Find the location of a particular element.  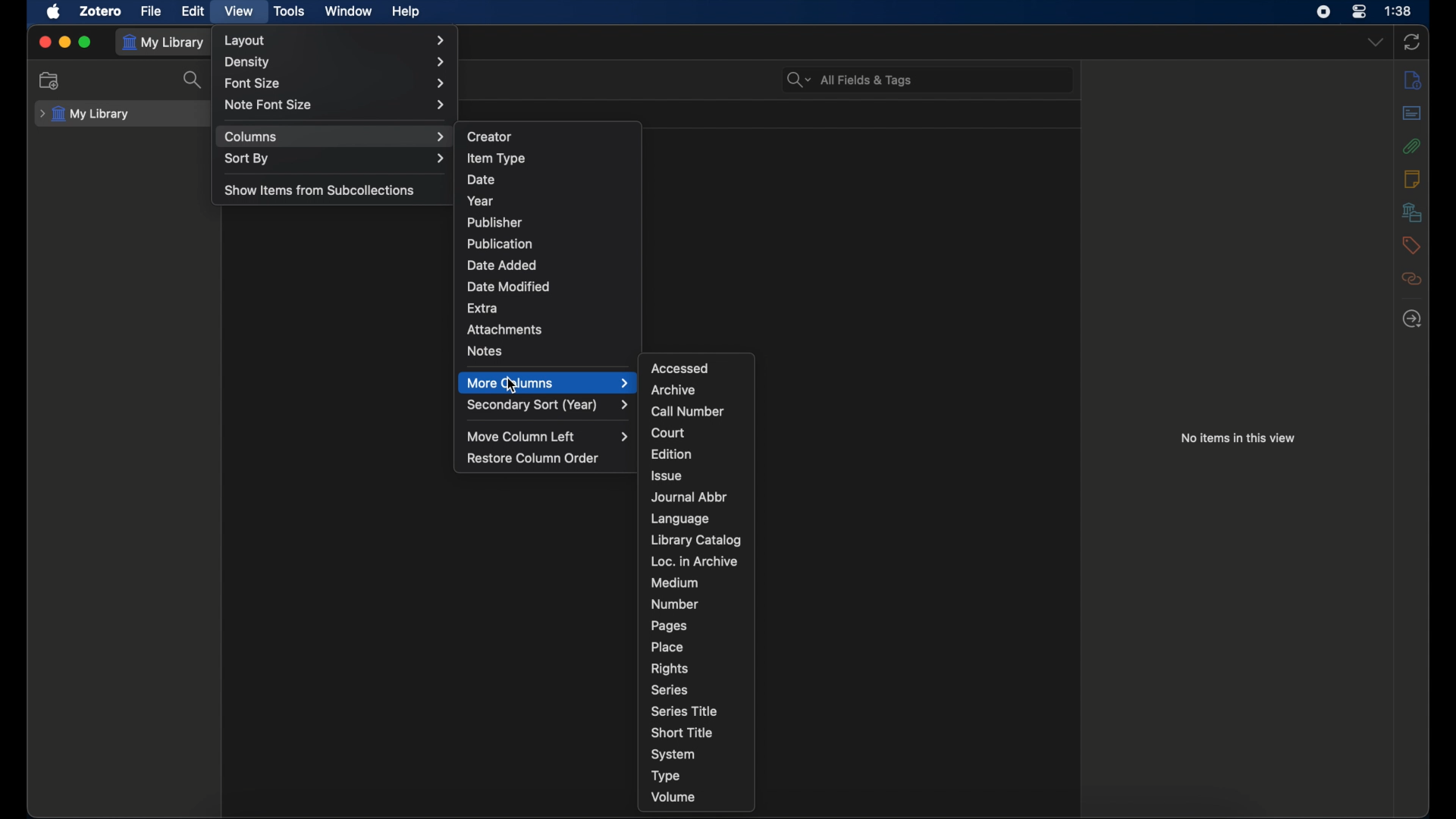

archive is located at coordinates (674, 391).